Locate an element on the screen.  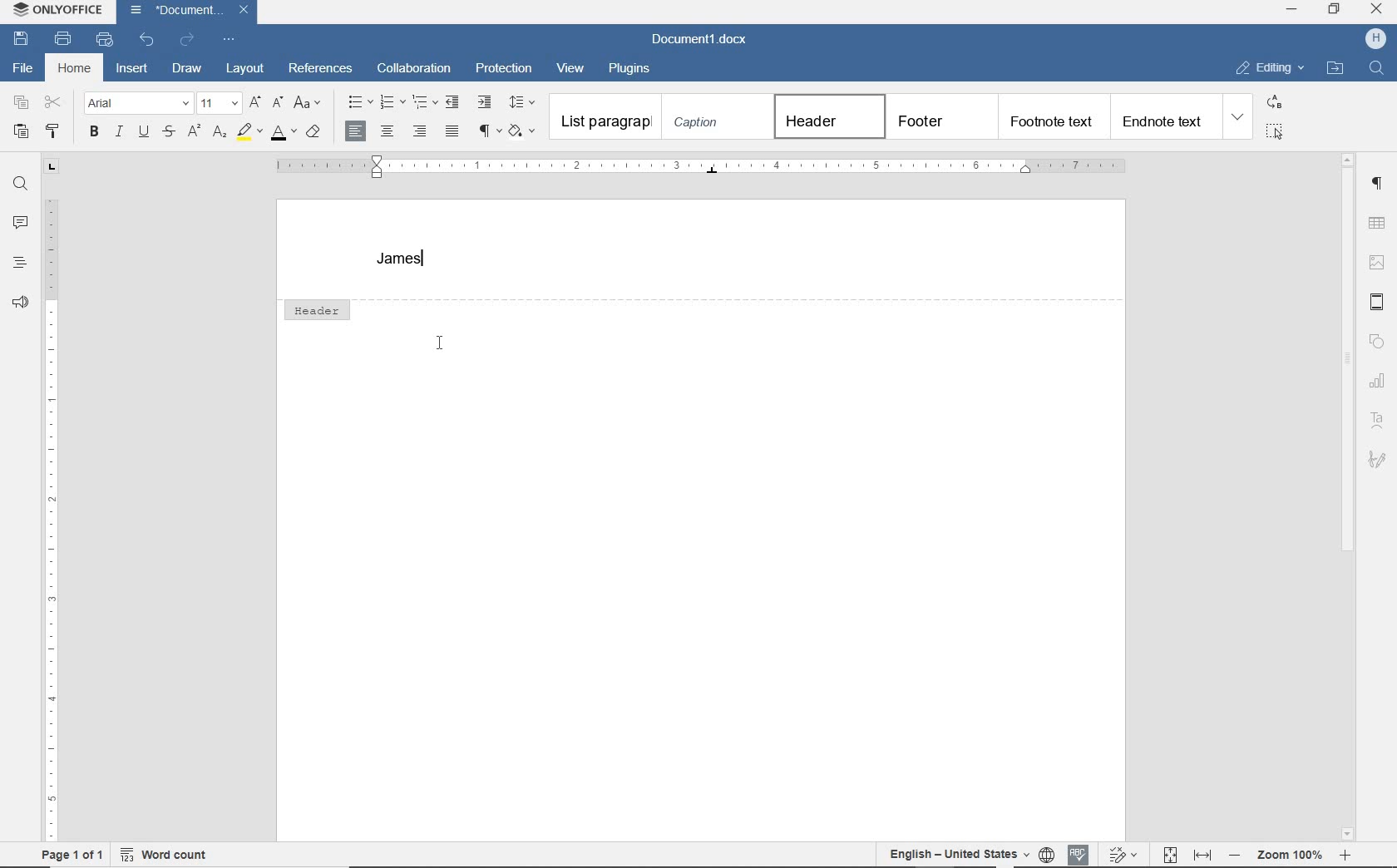
view is located at coordinates (571, 68).